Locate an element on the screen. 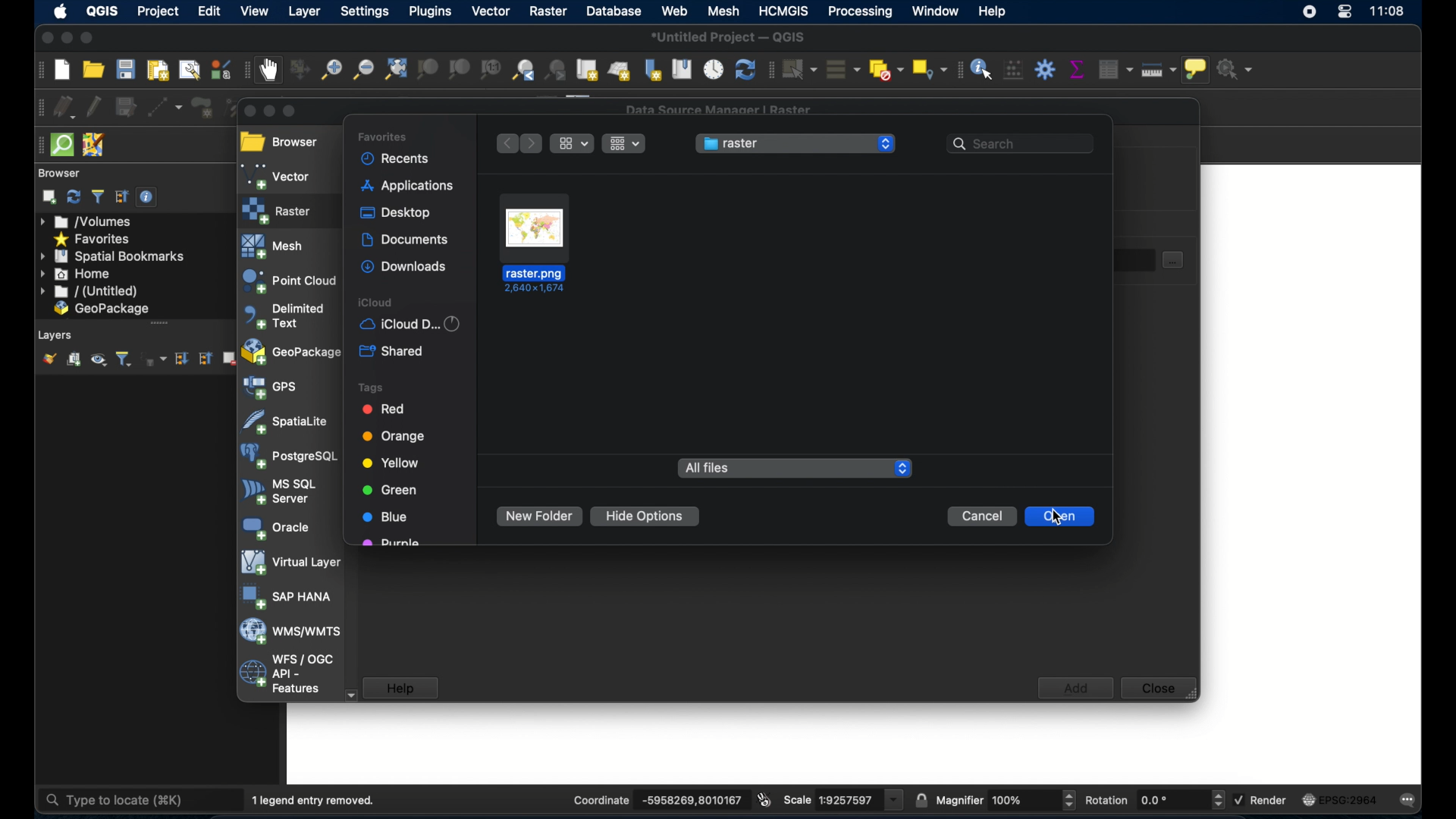 The width and height of the screenshot is (1456, 819). red is located at coordinates (385, 407).